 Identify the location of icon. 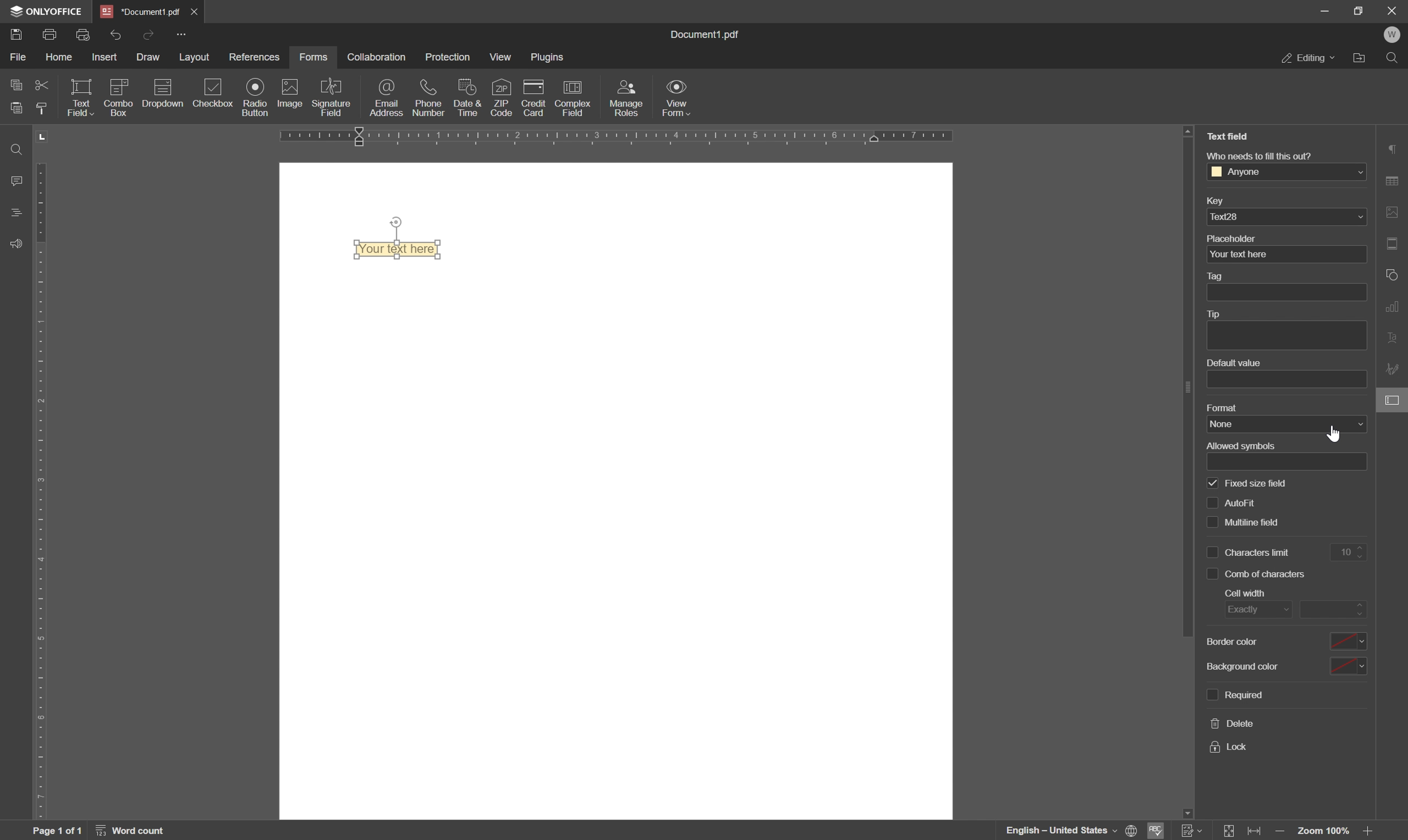
(118, 87).